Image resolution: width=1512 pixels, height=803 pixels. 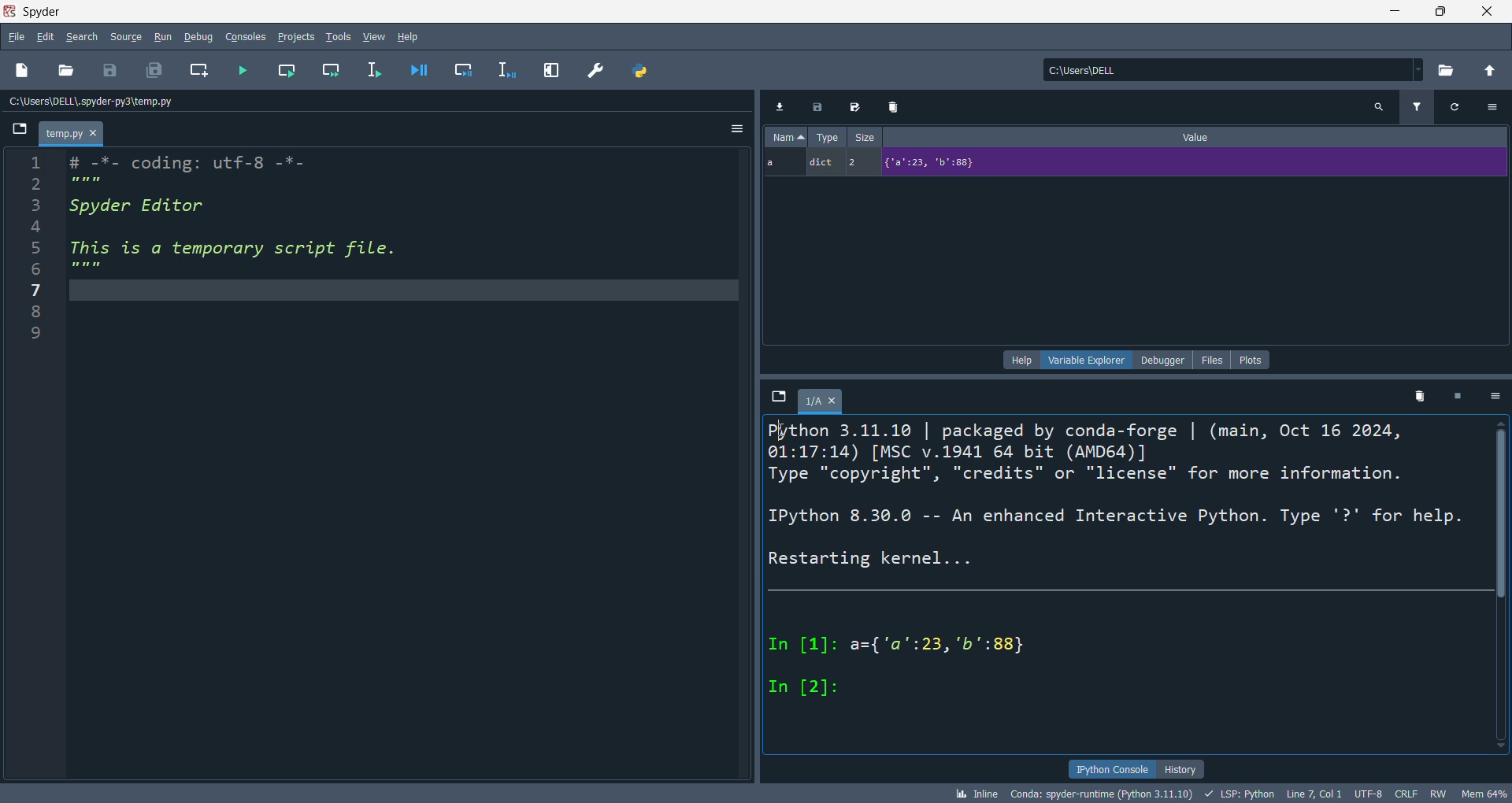 I want to click on plots, so click(x=1252, y=360).